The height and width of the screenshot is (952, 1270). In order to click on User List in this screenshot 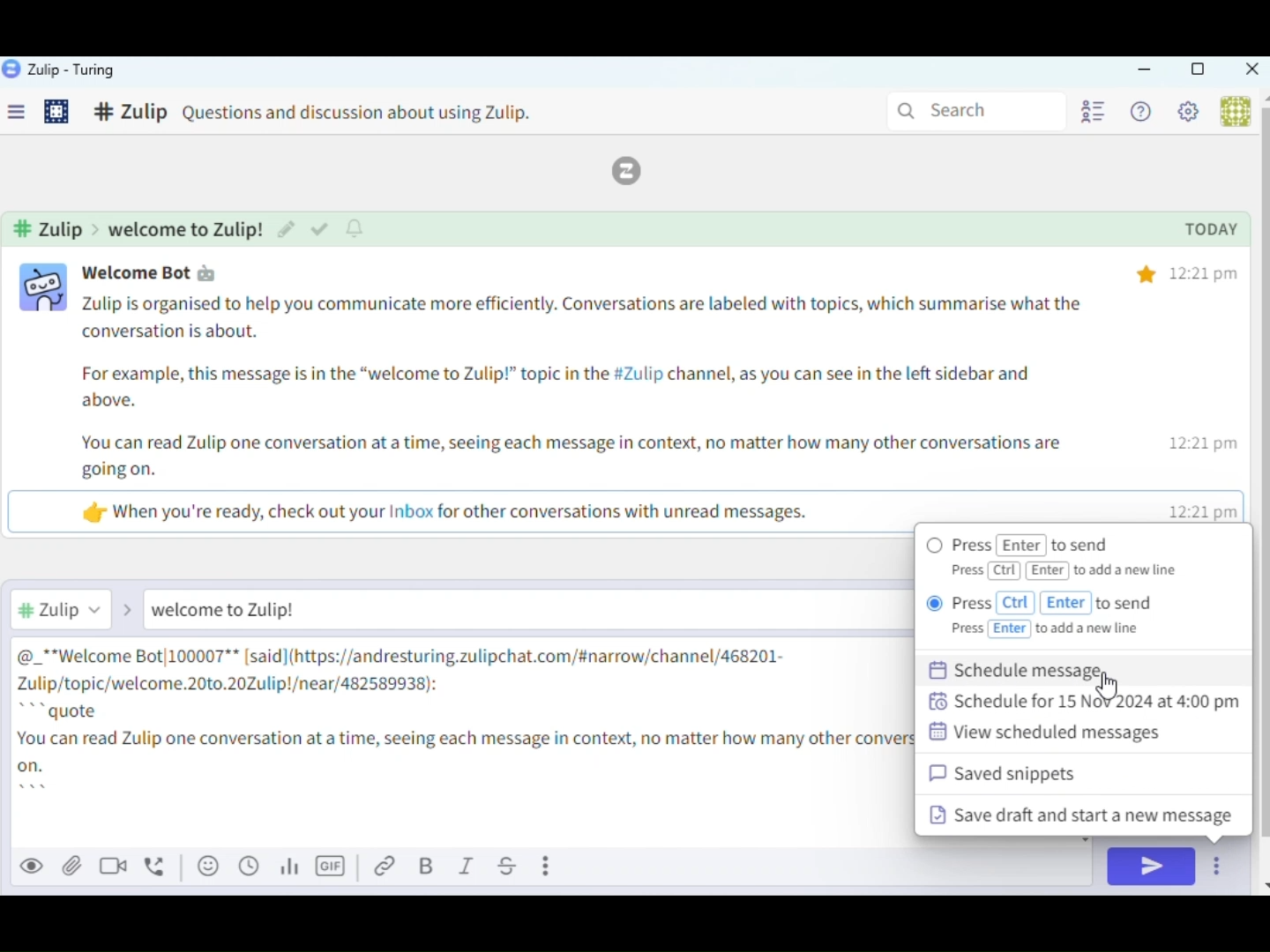, I will do `click(1091, 110)`.